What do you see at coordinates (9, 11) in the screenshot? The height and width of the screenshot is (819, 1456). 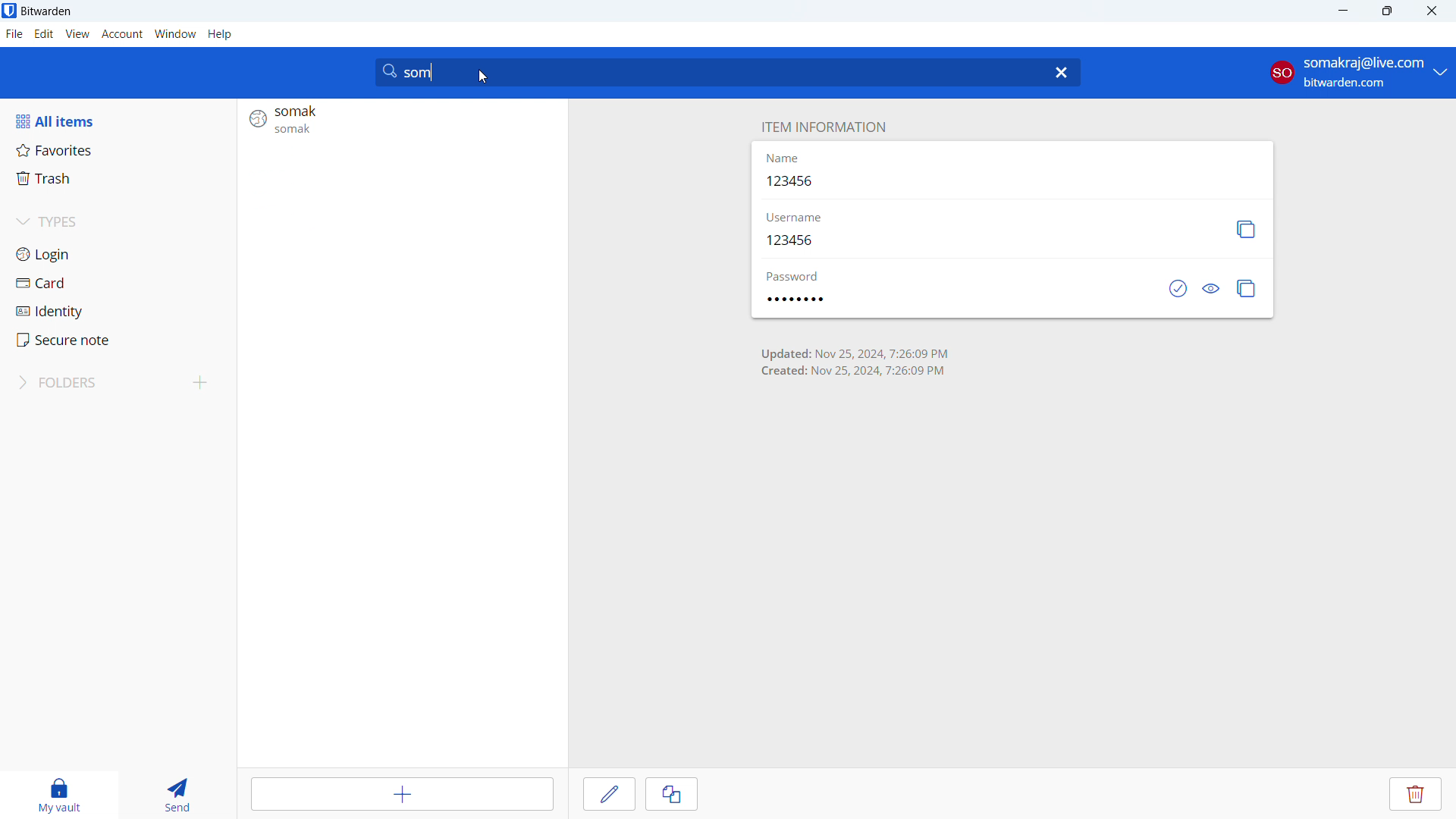 I see `logo` at bounding box center [9, 11].